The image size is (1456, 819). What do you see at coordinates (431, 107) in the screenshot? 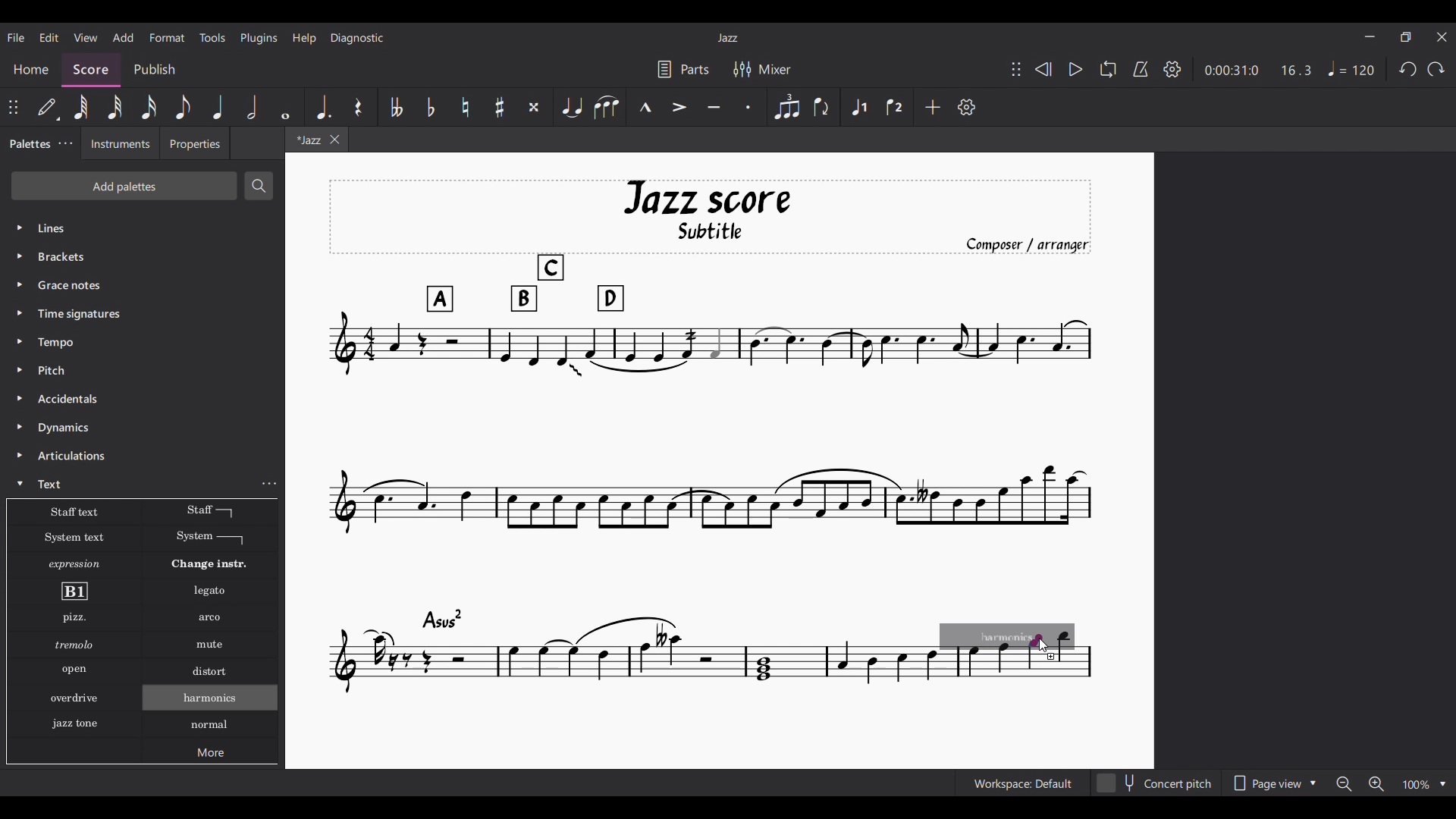
I see `Toggle flat` at bounding box center [431, 107].